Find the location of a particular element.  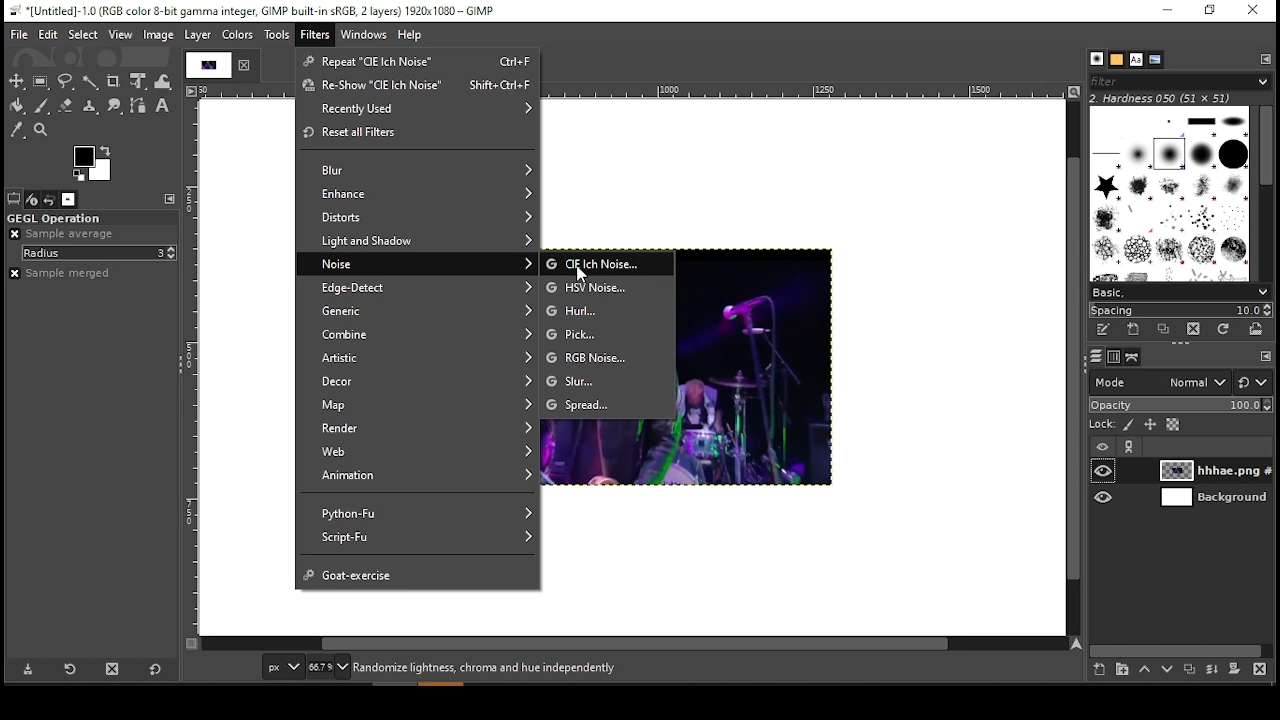

move layer on step down is located at coordinates (1172, 670).